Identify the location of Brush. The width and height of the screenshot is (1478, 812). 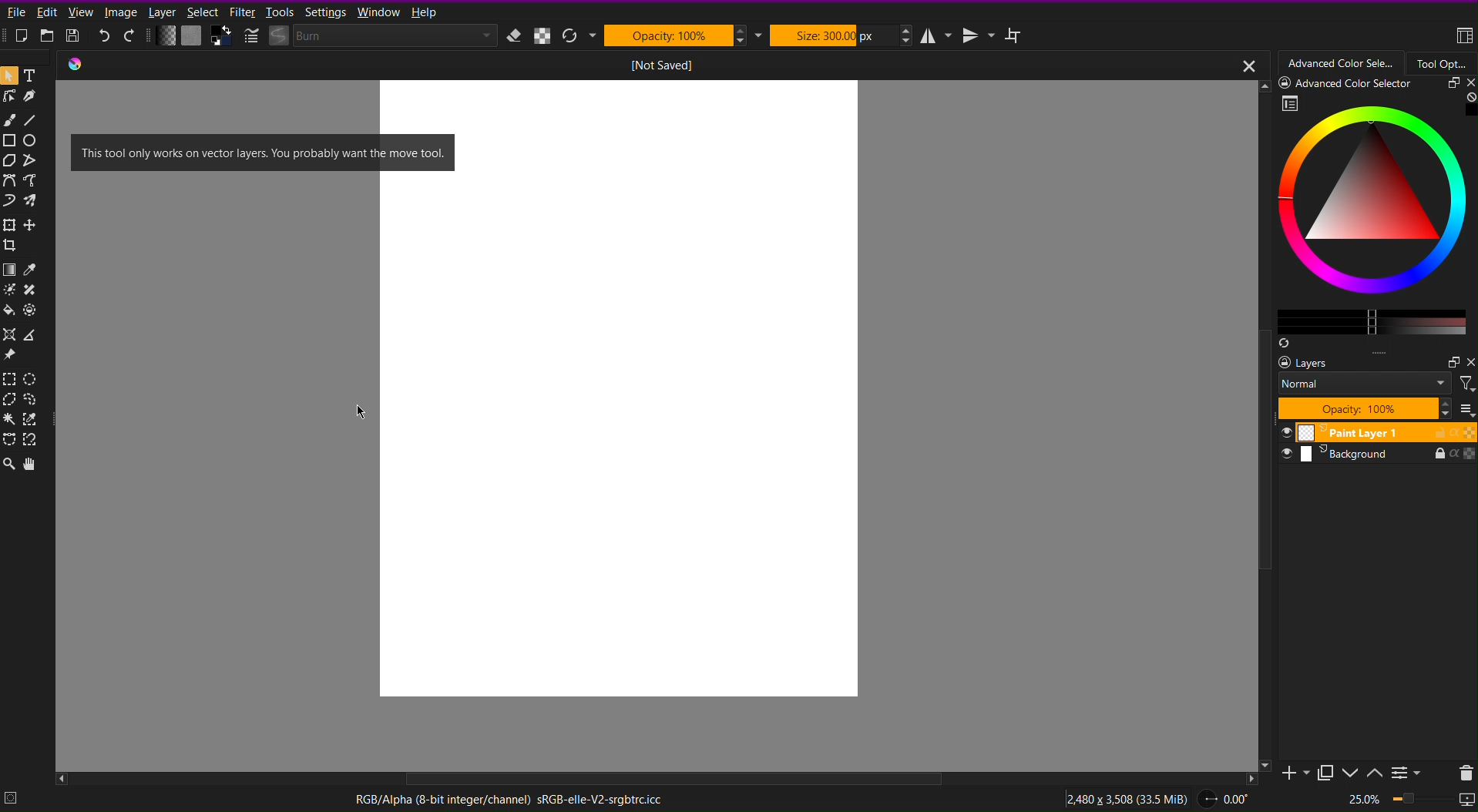
(9, 120).